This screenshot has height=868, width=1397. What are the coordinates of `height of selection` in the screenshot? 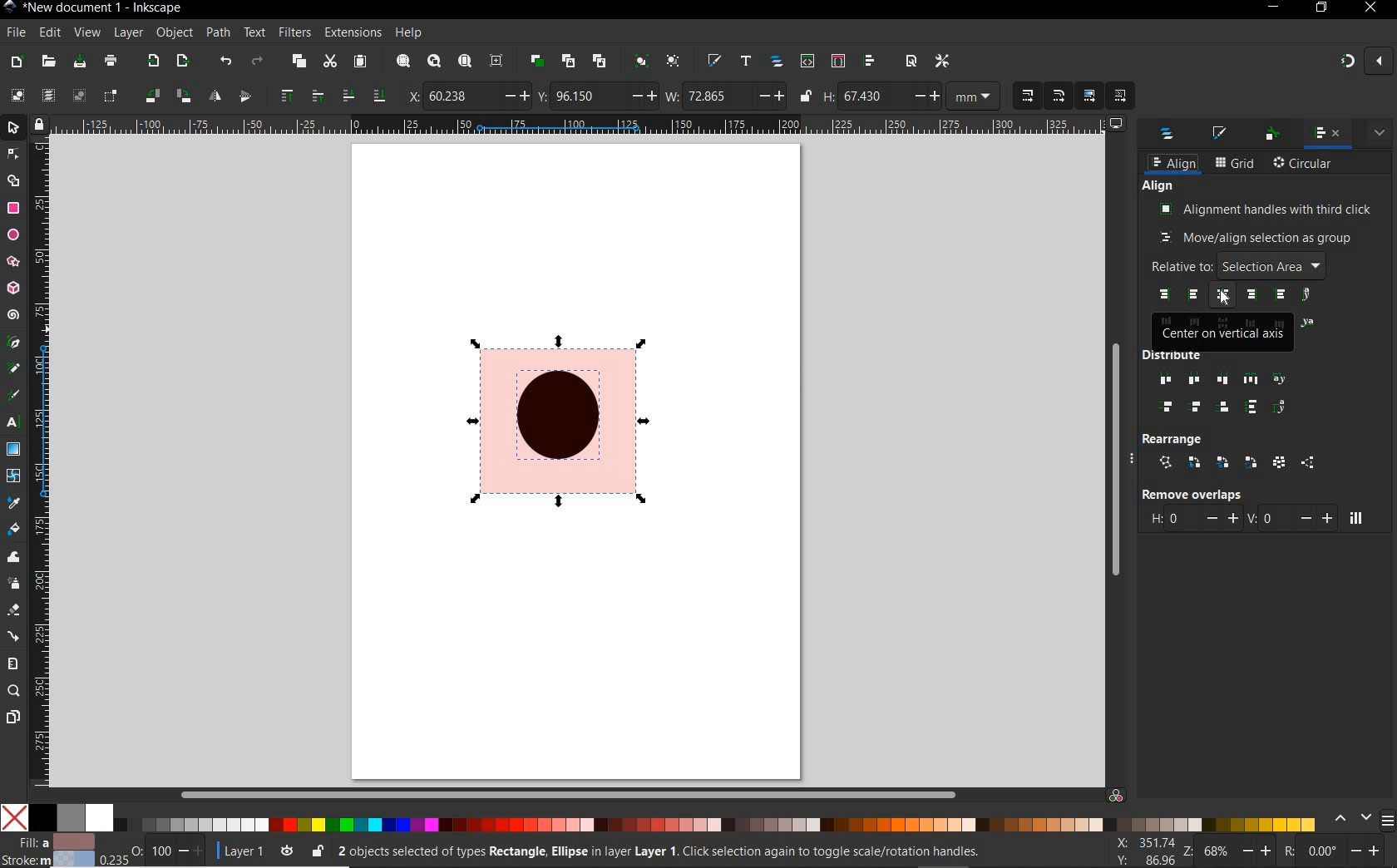 It's located at (914, 96).